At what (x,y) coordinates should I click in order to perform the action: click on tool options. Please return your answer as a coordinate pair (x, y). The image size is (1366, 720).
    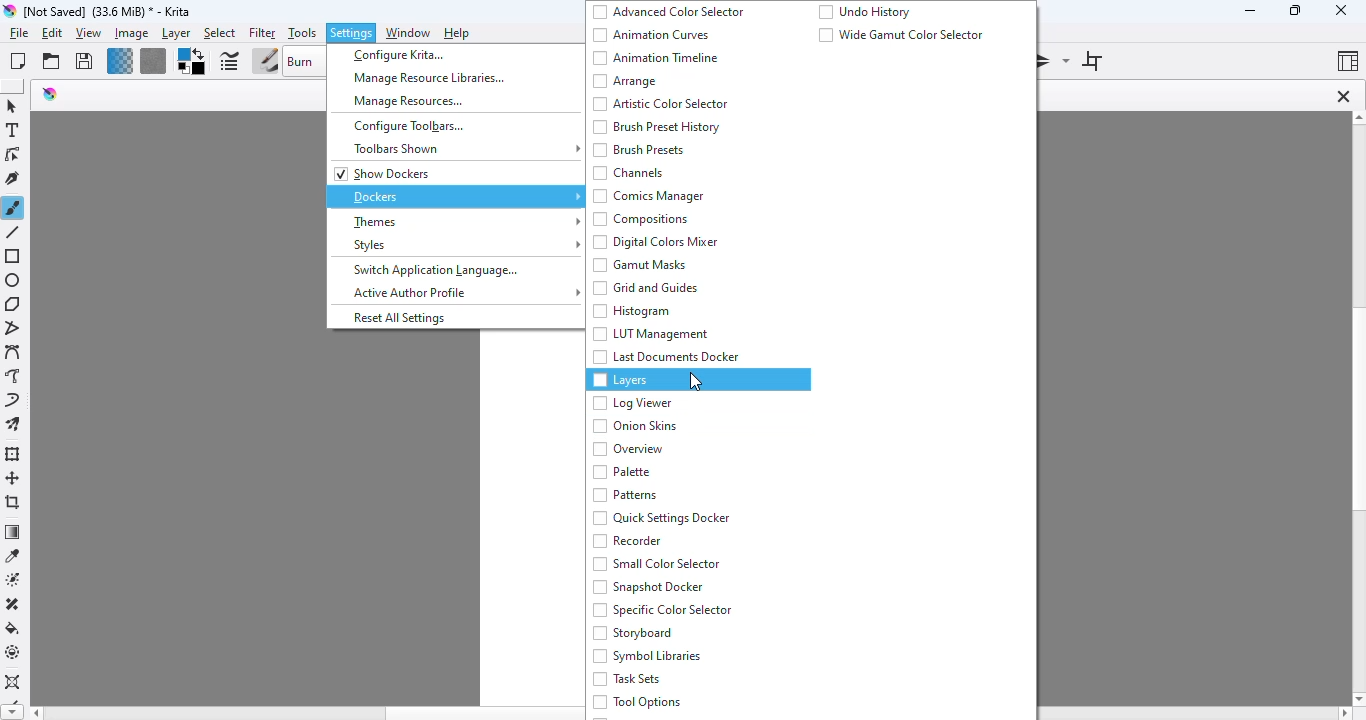
    Looking at the image, I should click on (637, 702).